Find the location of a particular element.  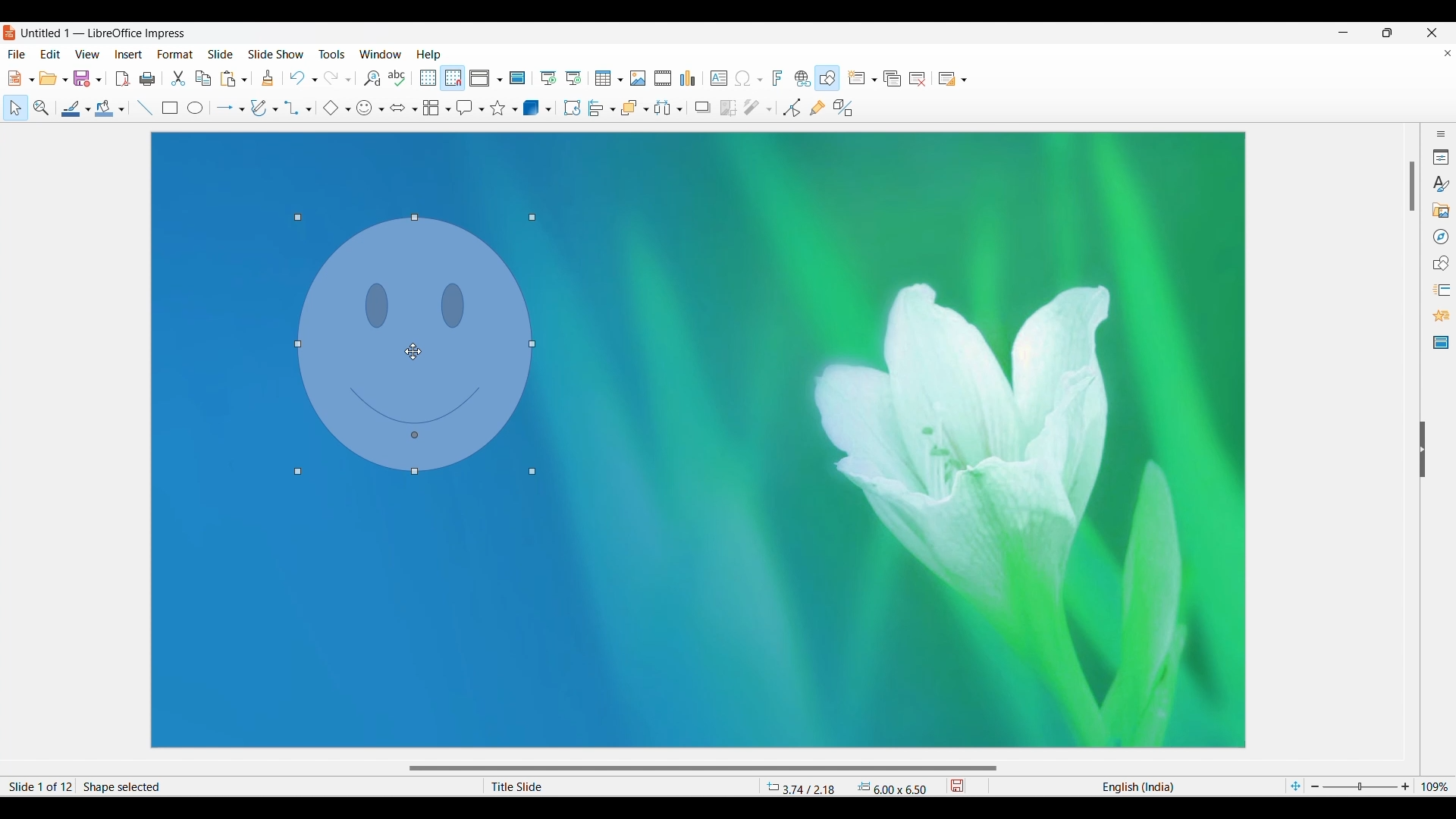

Insert image is located at coordinates (638, 78).